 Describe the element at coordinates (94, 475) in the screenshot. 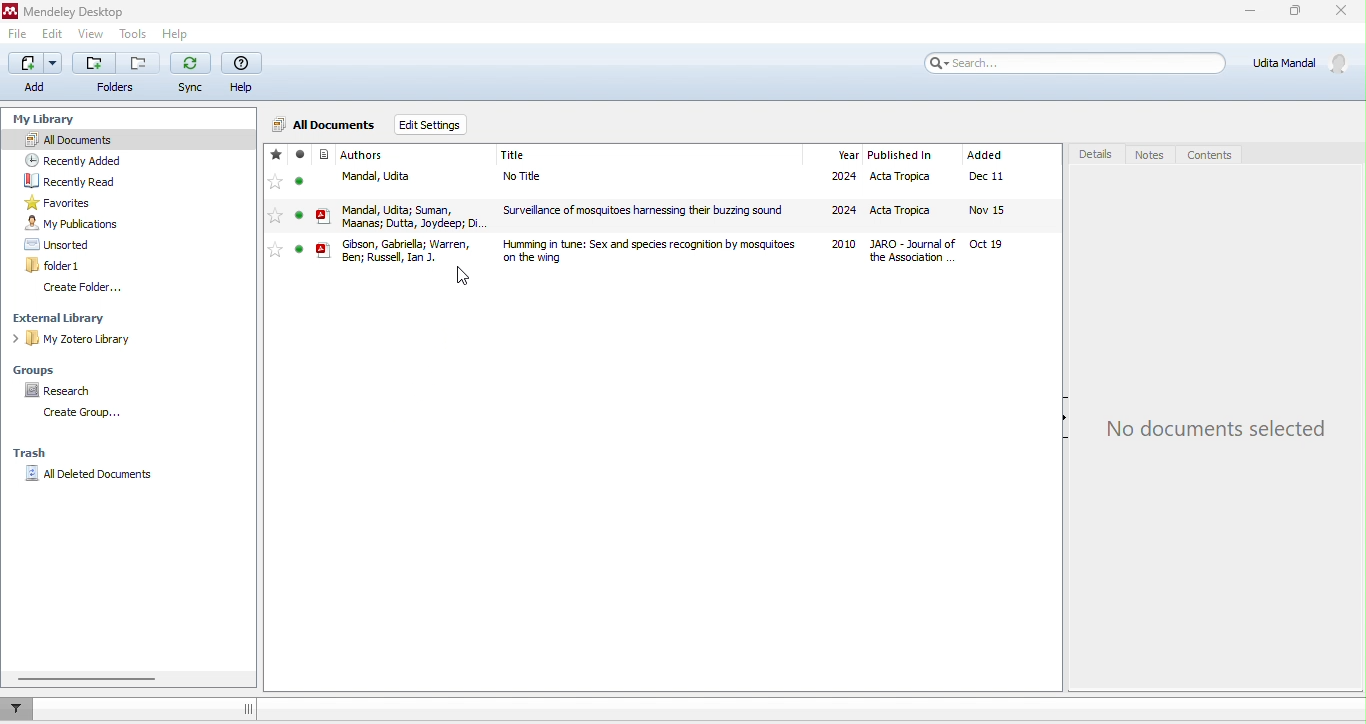

I see `all deleted documents` at that location.